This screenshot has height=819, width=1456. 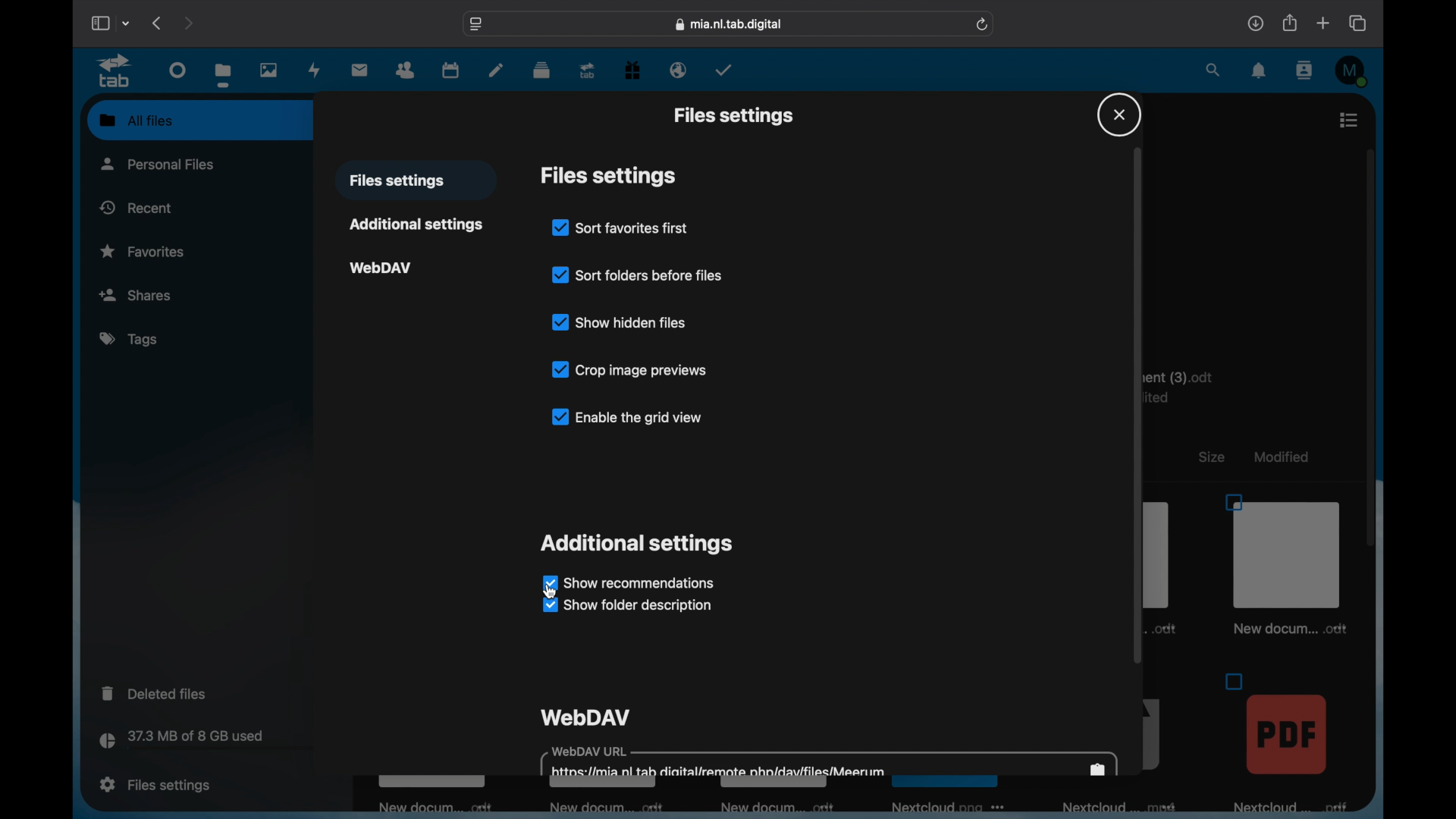 What do you see at coordinates (406, 71) in the screenshot?
I see `contacts` at bounding box center [406, 71].